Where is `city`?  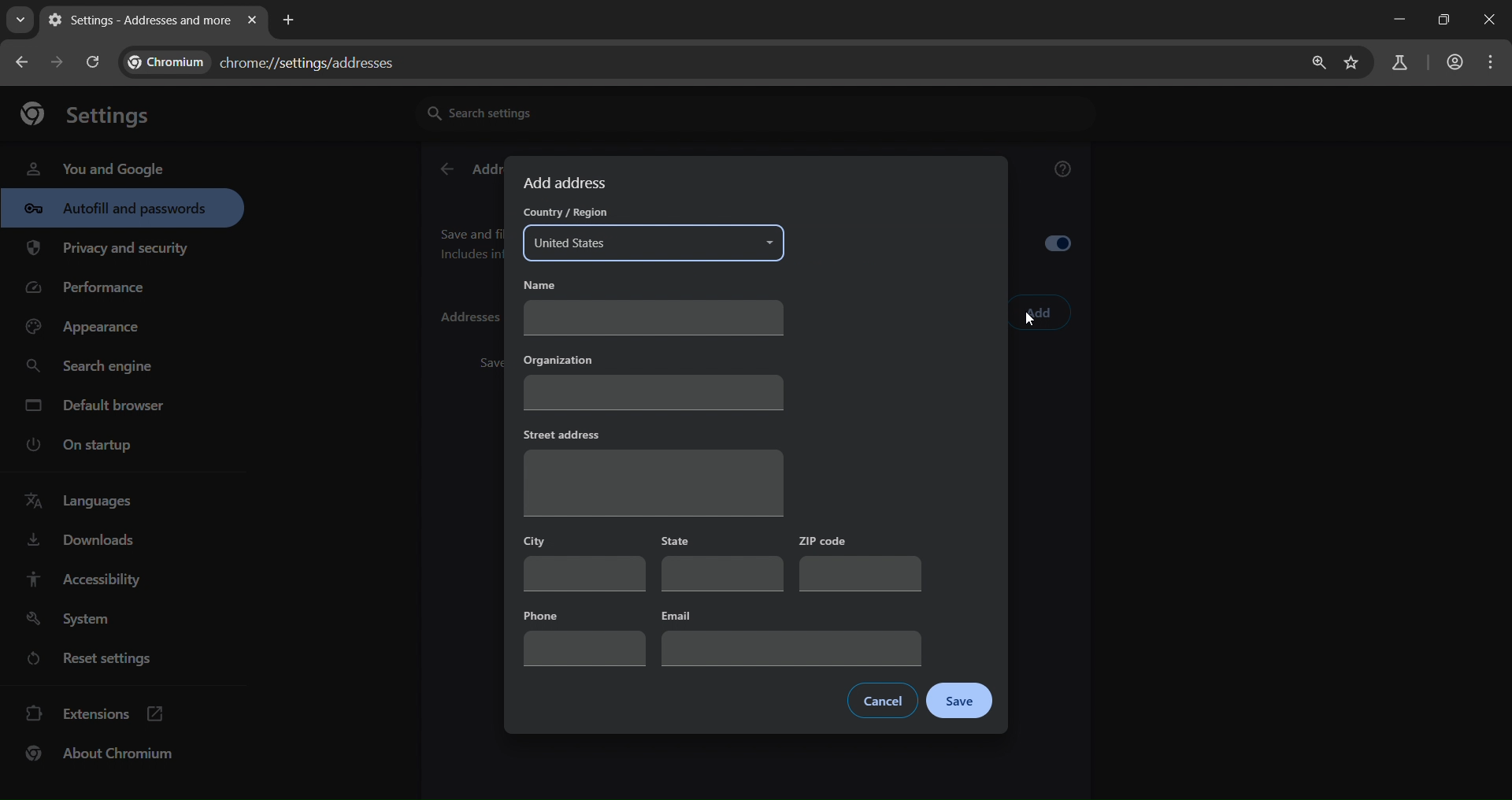 city is located at coordinates (584, 562).